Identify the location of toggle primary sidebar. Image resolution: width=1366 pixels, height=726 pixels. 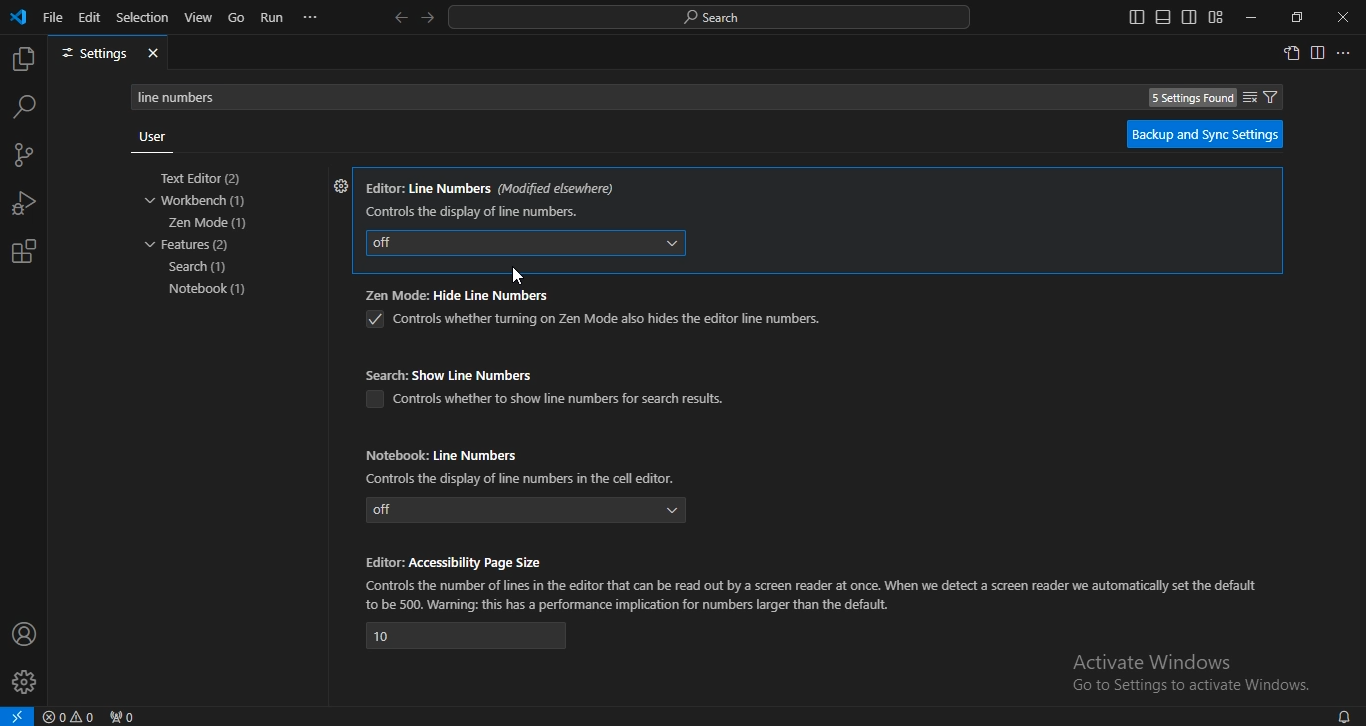
(1137, 17).